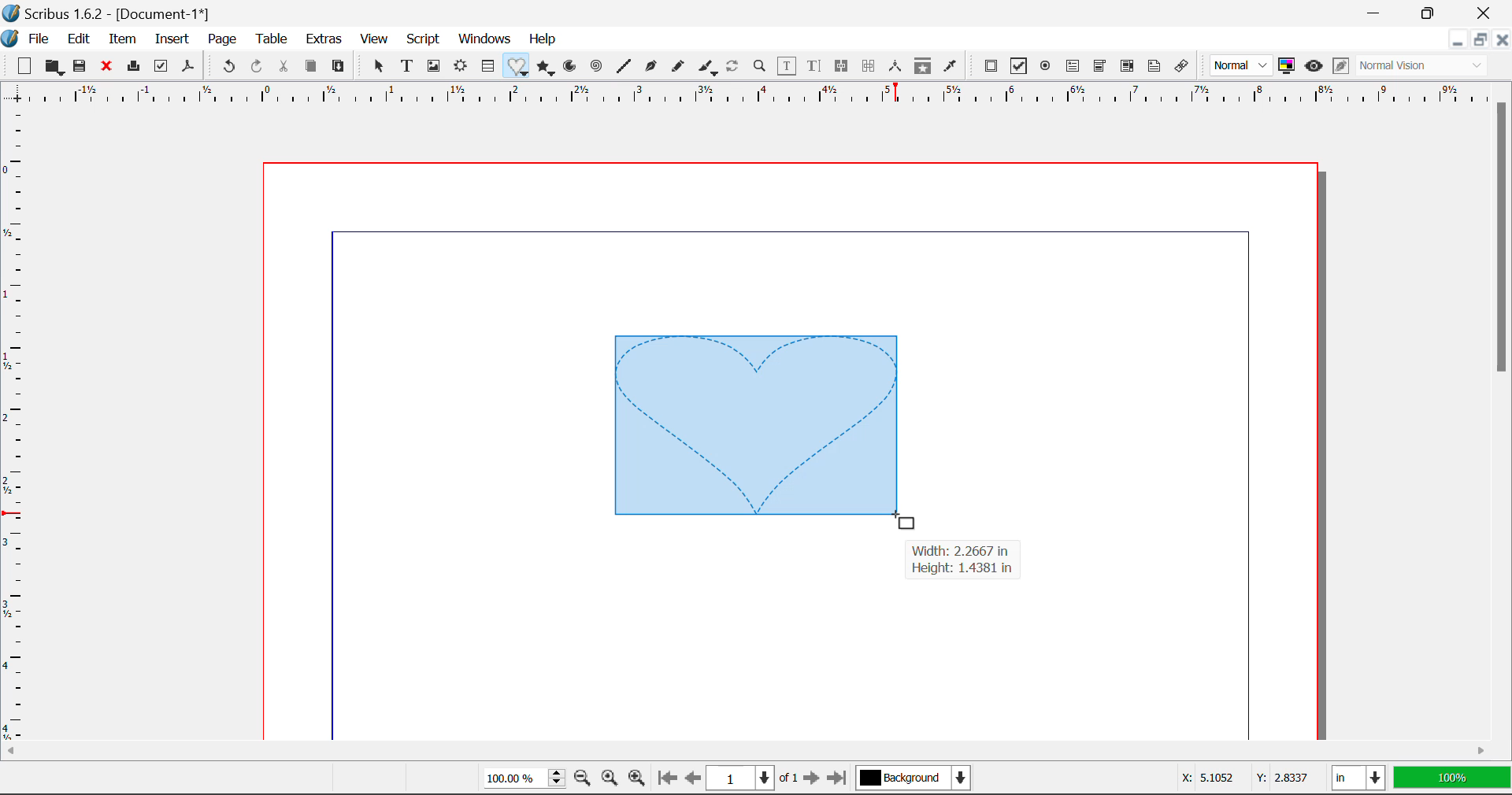 This screenshot has width=1512, height=795. Describe the element at coordinates (79, 39) in the screenshot. I see `Edit` at that location.